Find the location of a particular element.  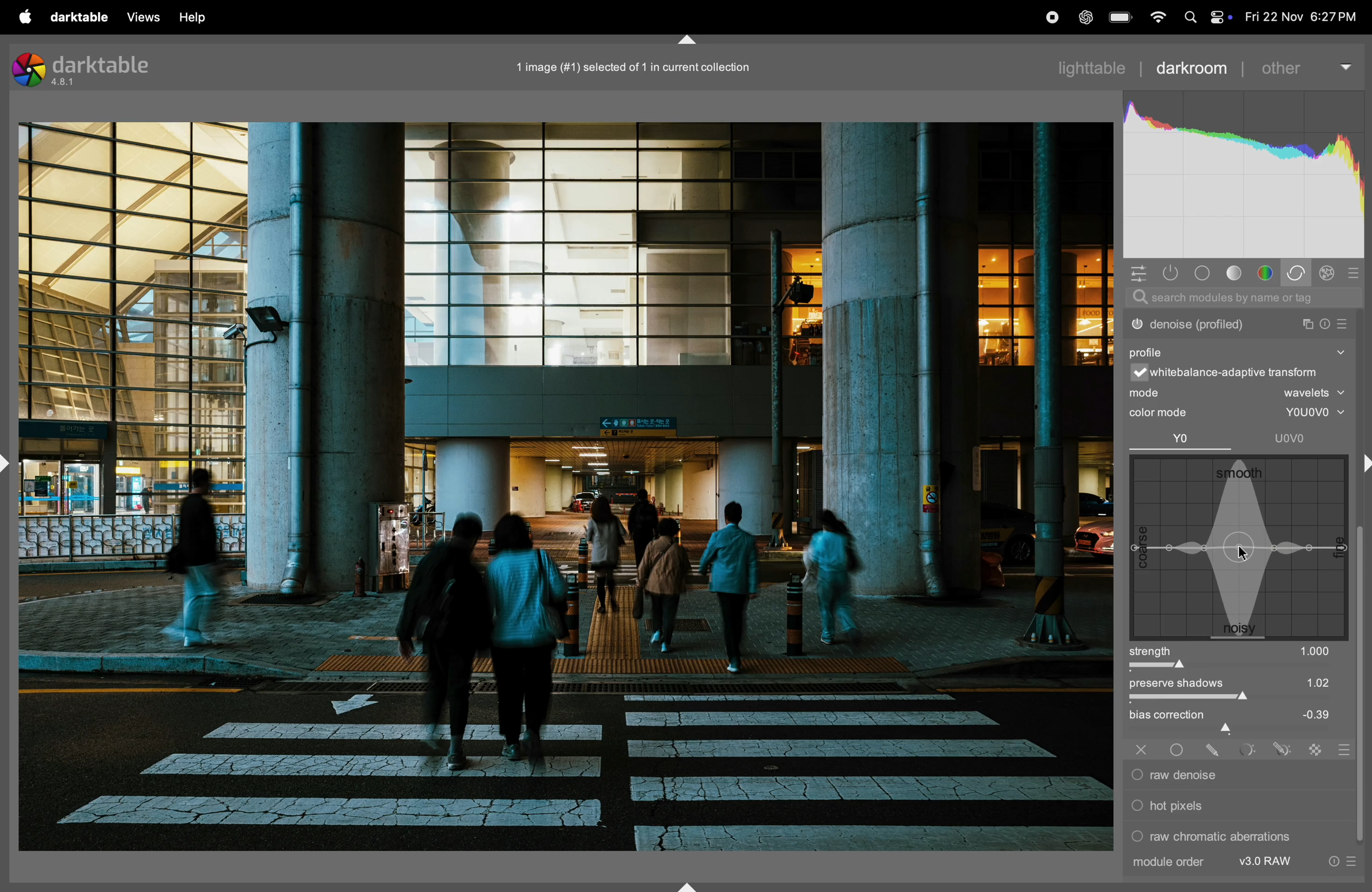

denoise is located at coordinates (1220, 324).